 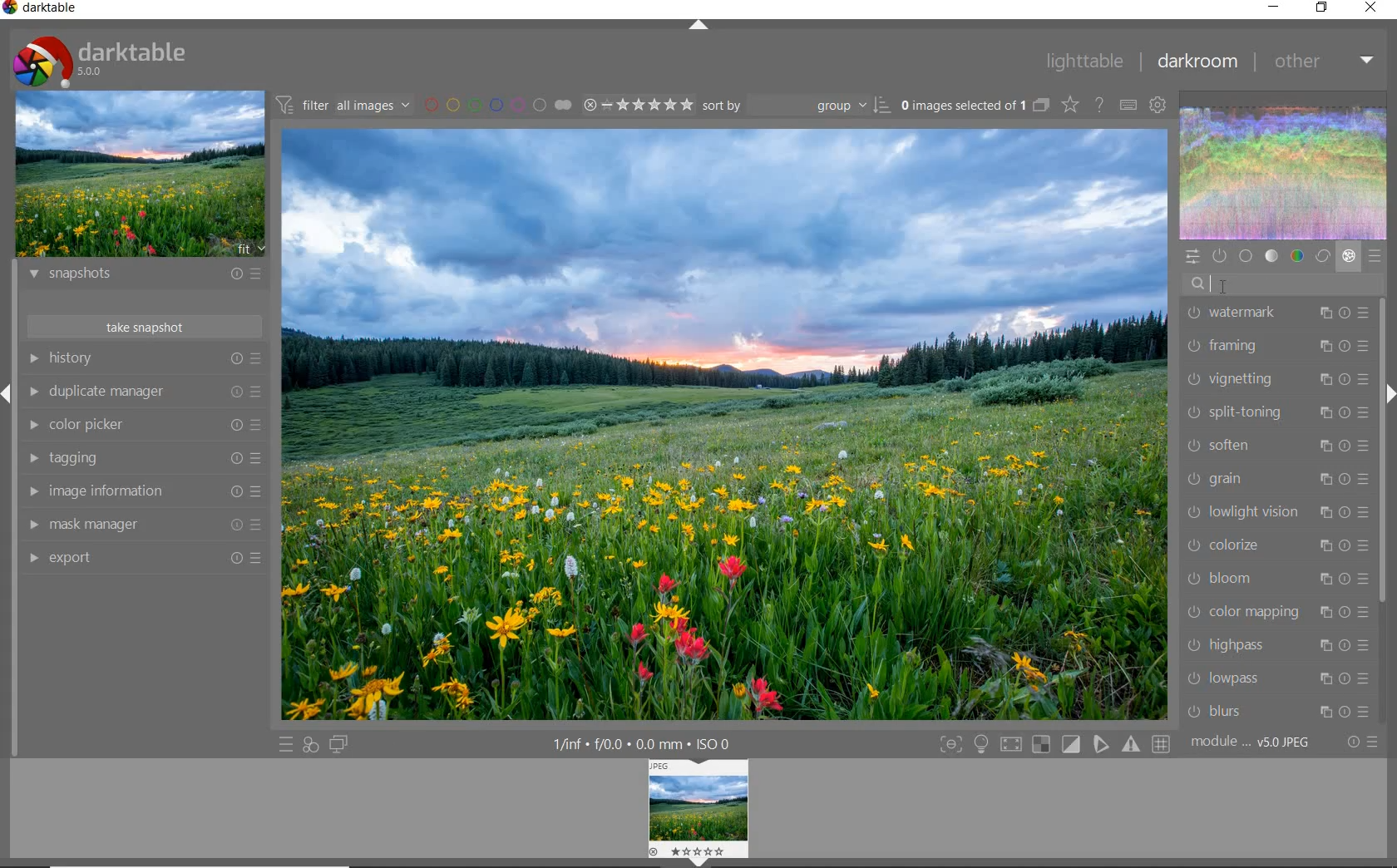 I want to click on search modules by name, so click(x=1283, y=284).